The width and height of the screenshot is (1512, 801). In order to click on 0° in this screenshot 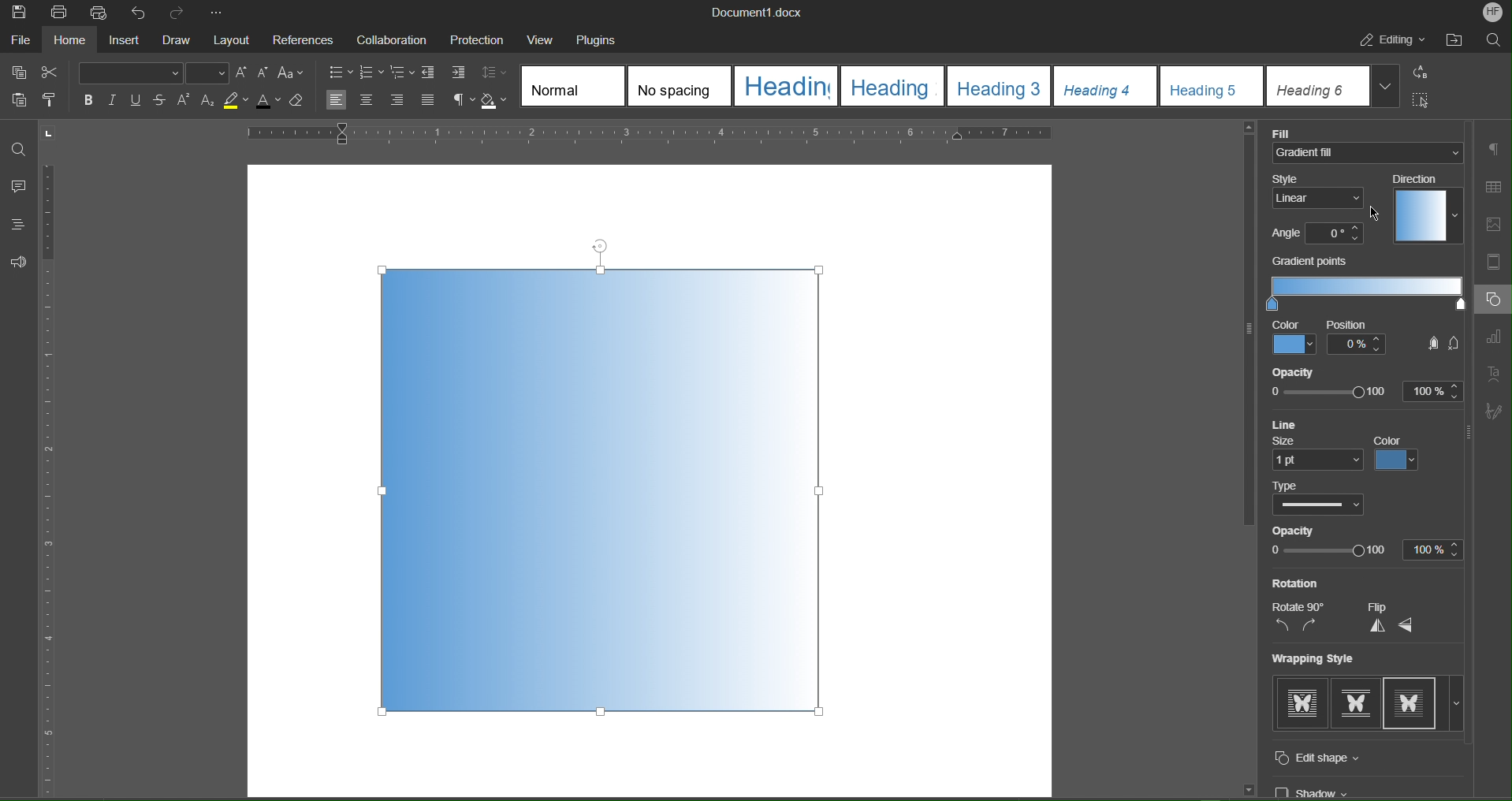, I will do `click(1335, 233)`.